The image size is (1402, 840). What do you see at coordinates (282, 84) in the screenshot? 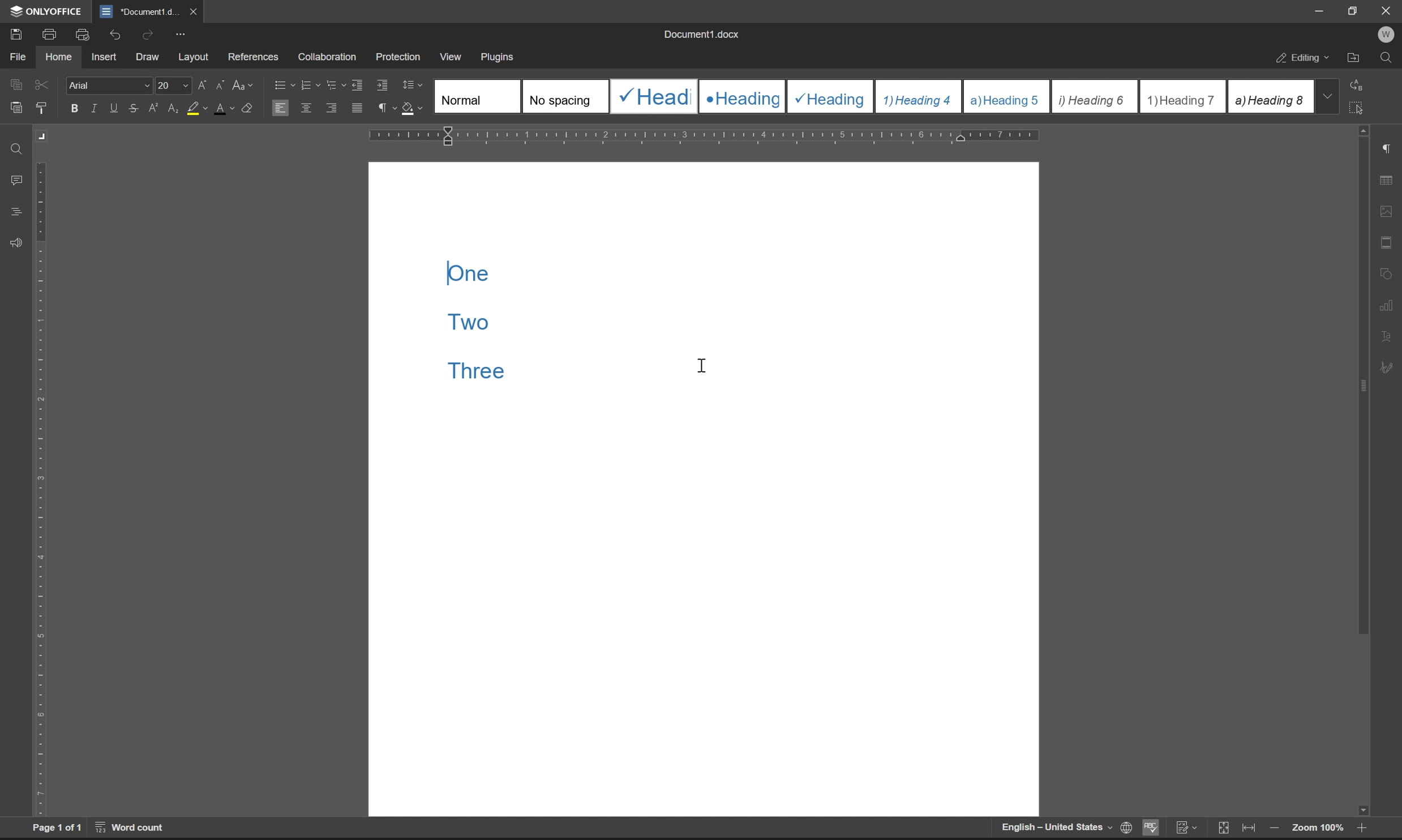
I see `bullets` at bounding box center [282, 84].